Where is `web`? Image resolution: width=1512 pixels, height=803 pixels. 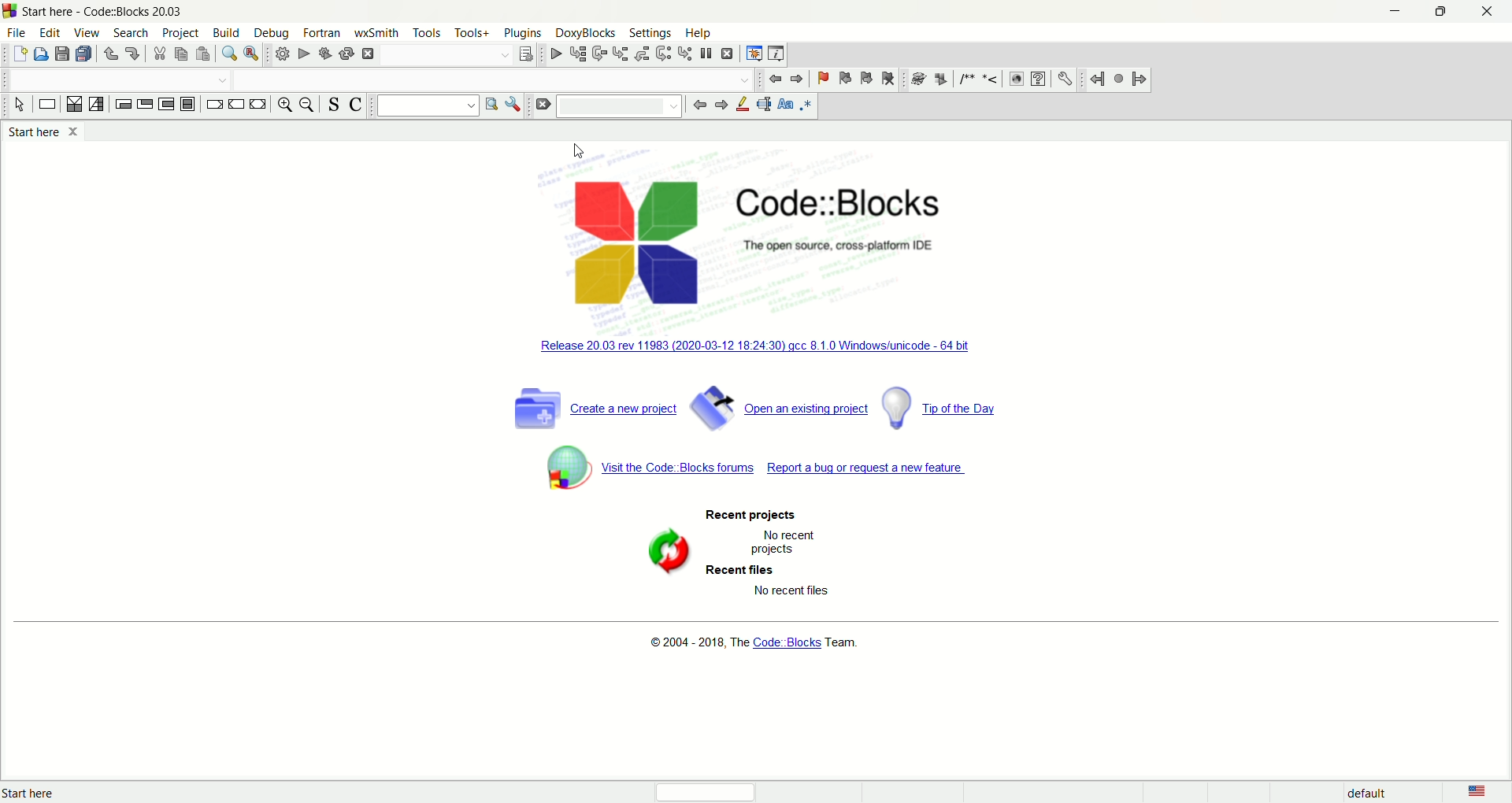 web is located at coordinates (1014, 80).